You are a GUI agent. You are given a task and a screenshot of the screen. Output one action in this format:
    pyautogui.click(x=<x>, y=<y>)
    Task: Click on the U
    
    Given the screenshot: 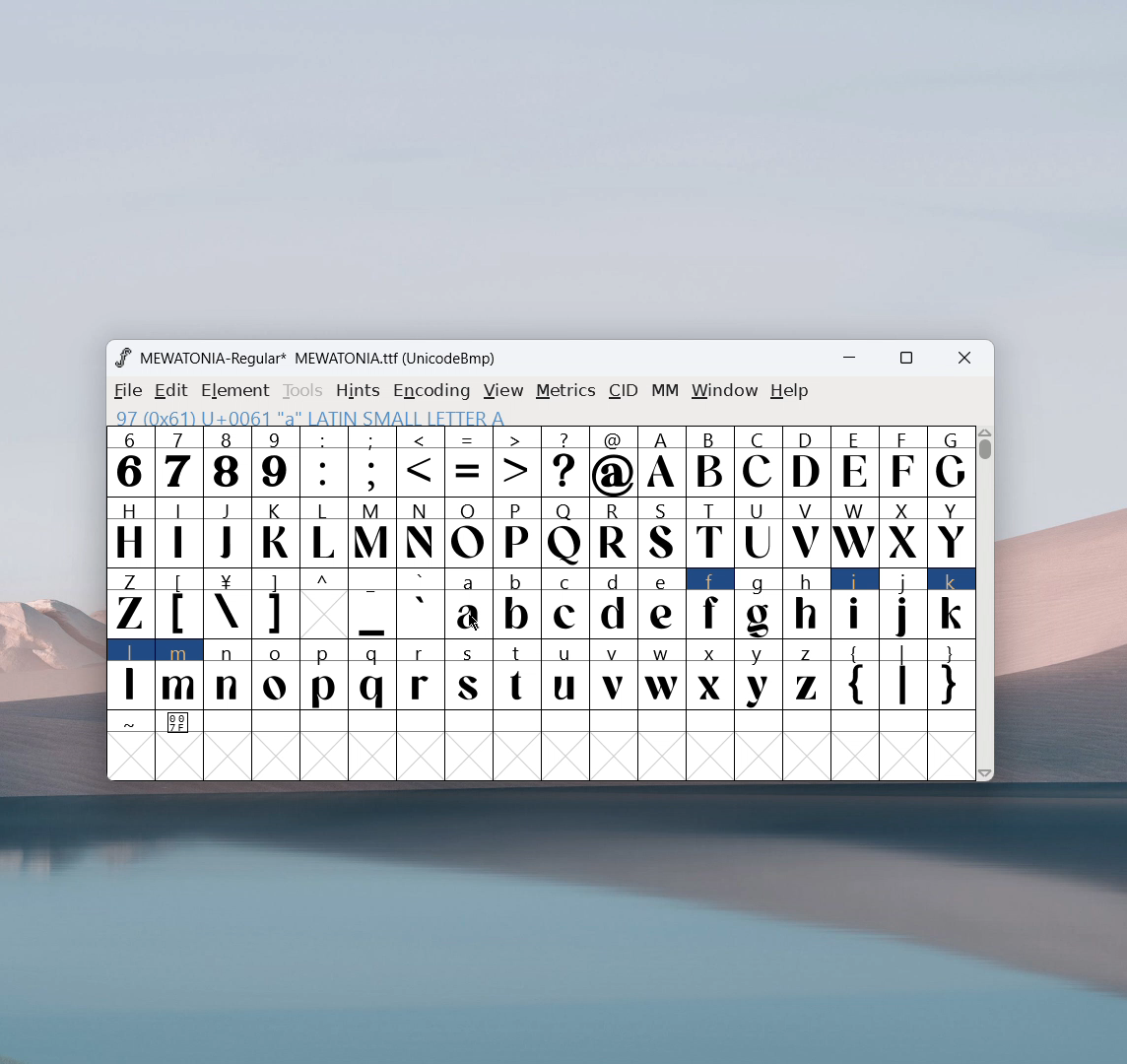 What is the action you would take?
    pyautogui.click(x=759, y=531)
    